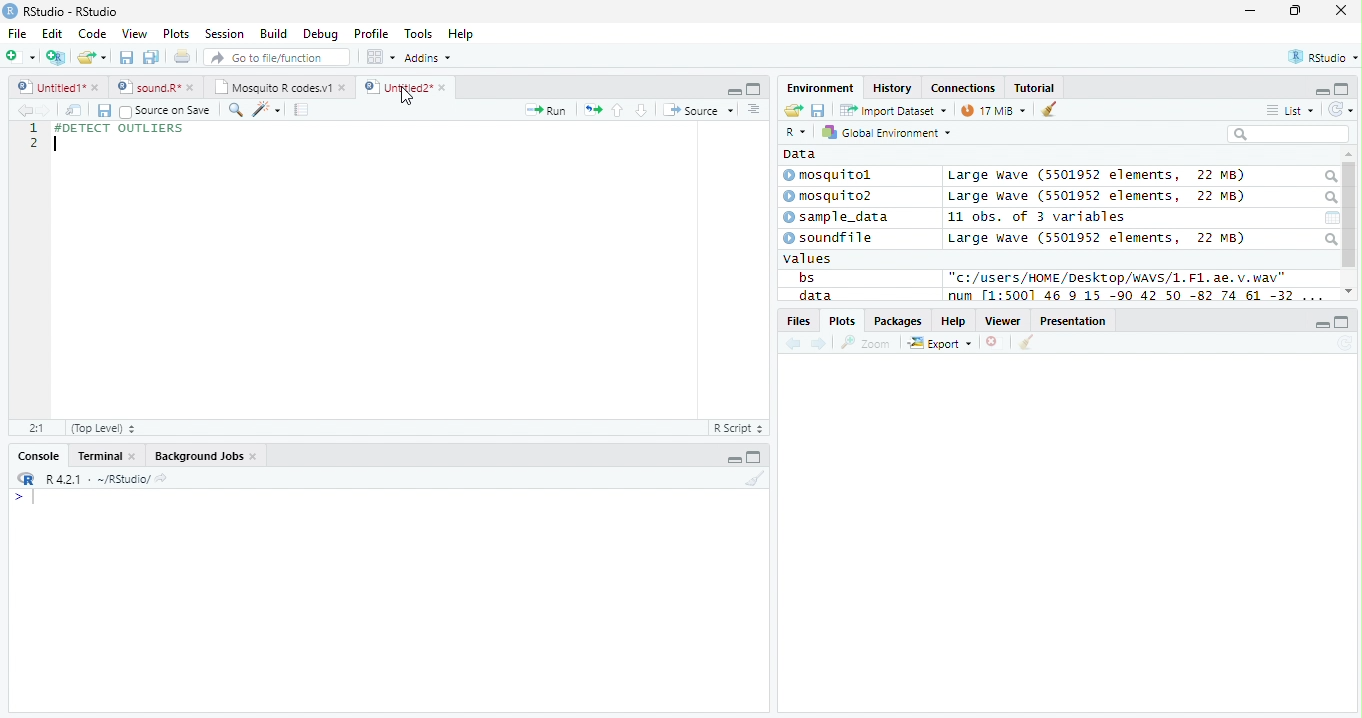 Image resolution: width=1362 pixels, height=718 pixels. Describe the element at coordinates (1096, 238) in the screenshot. I see `Large wave (5501952 elements, 22 MB)` at that location.